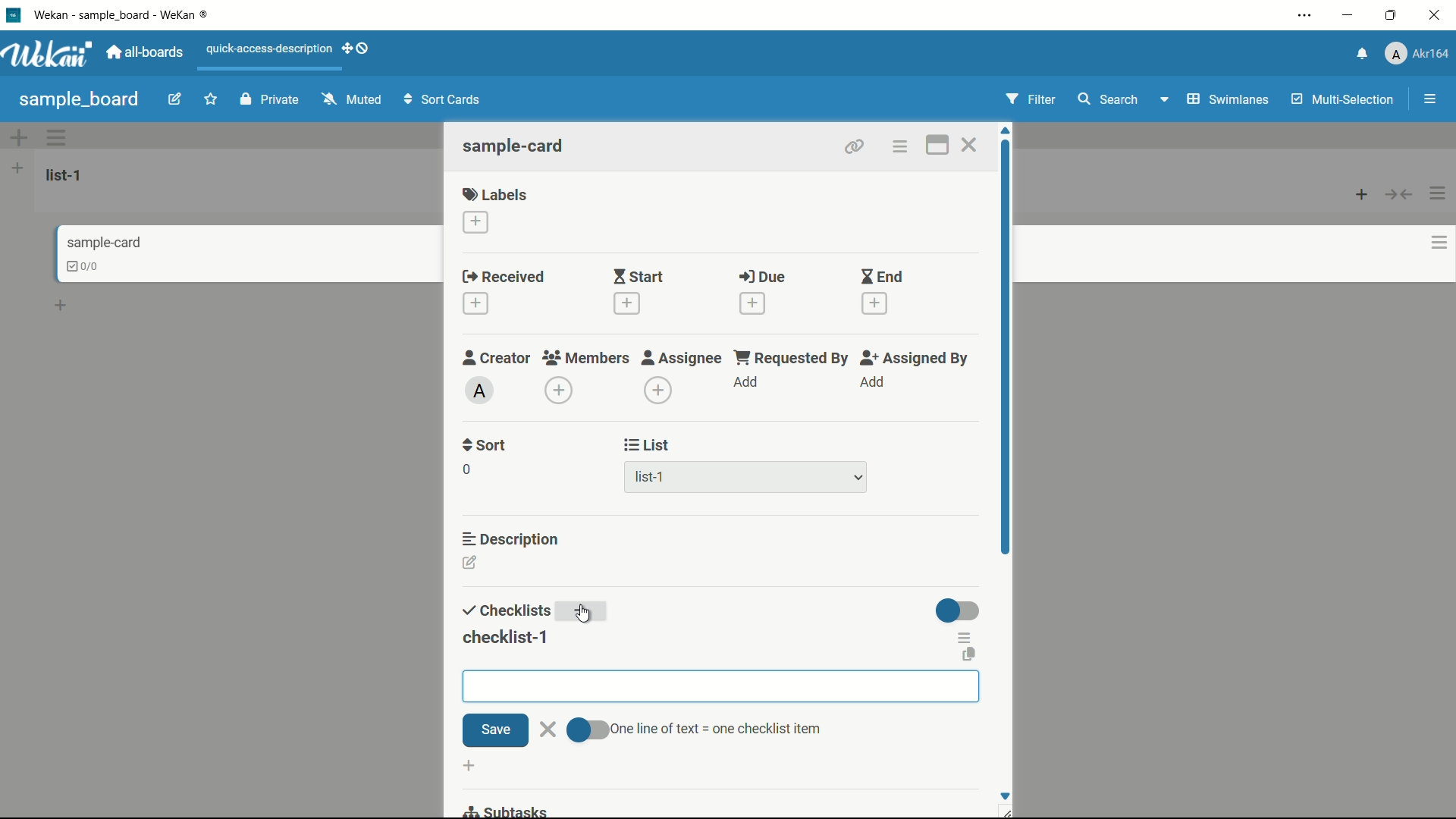 Image resolution: width=1456 pixels, height=819 pixels. Describe the element at coordinates (1345, 101) in the screenshot. I see `multi selection` at that location.